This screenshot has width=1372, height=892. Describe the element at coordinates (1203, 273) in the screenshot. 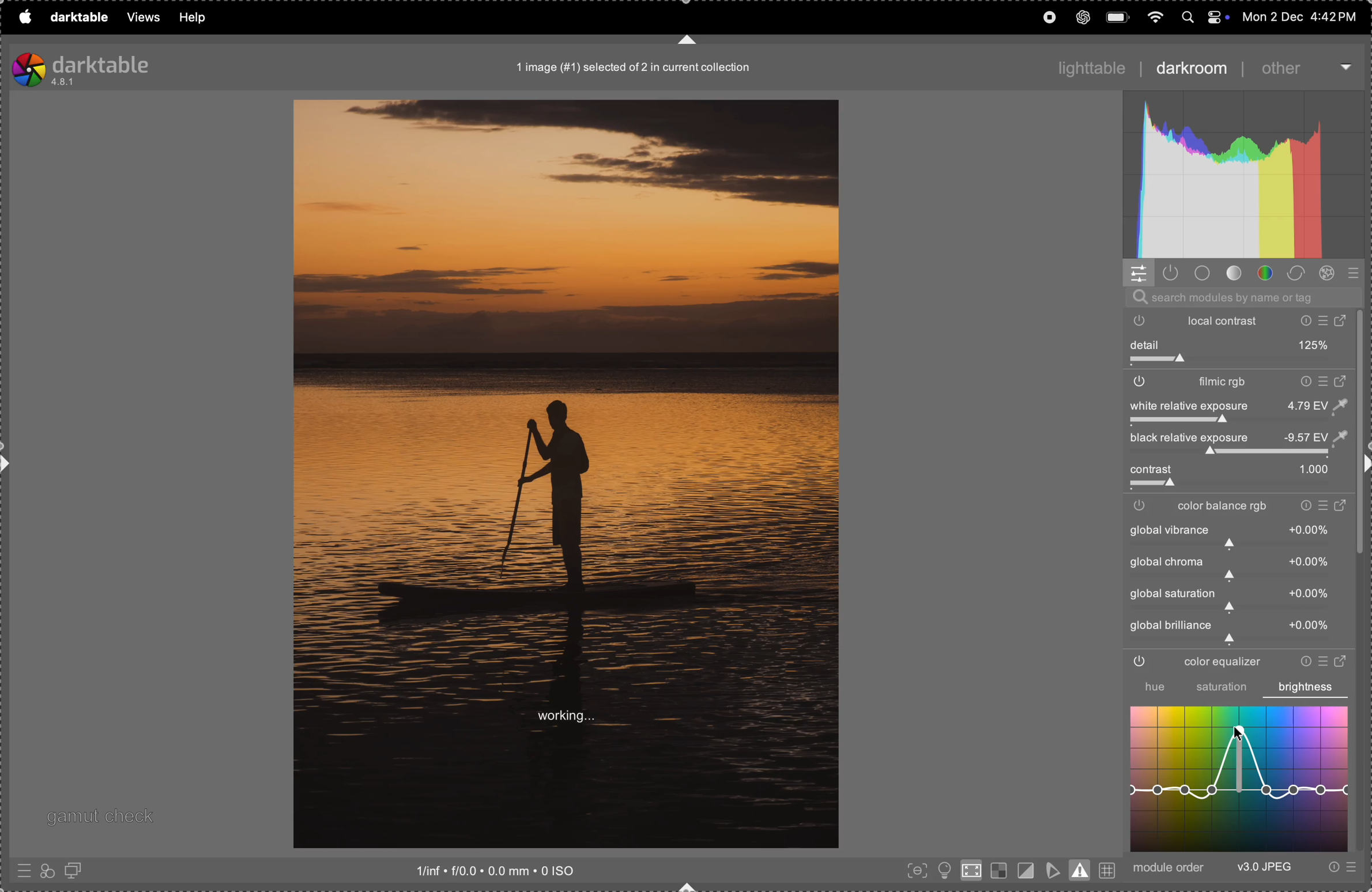

I see `base` at that location.